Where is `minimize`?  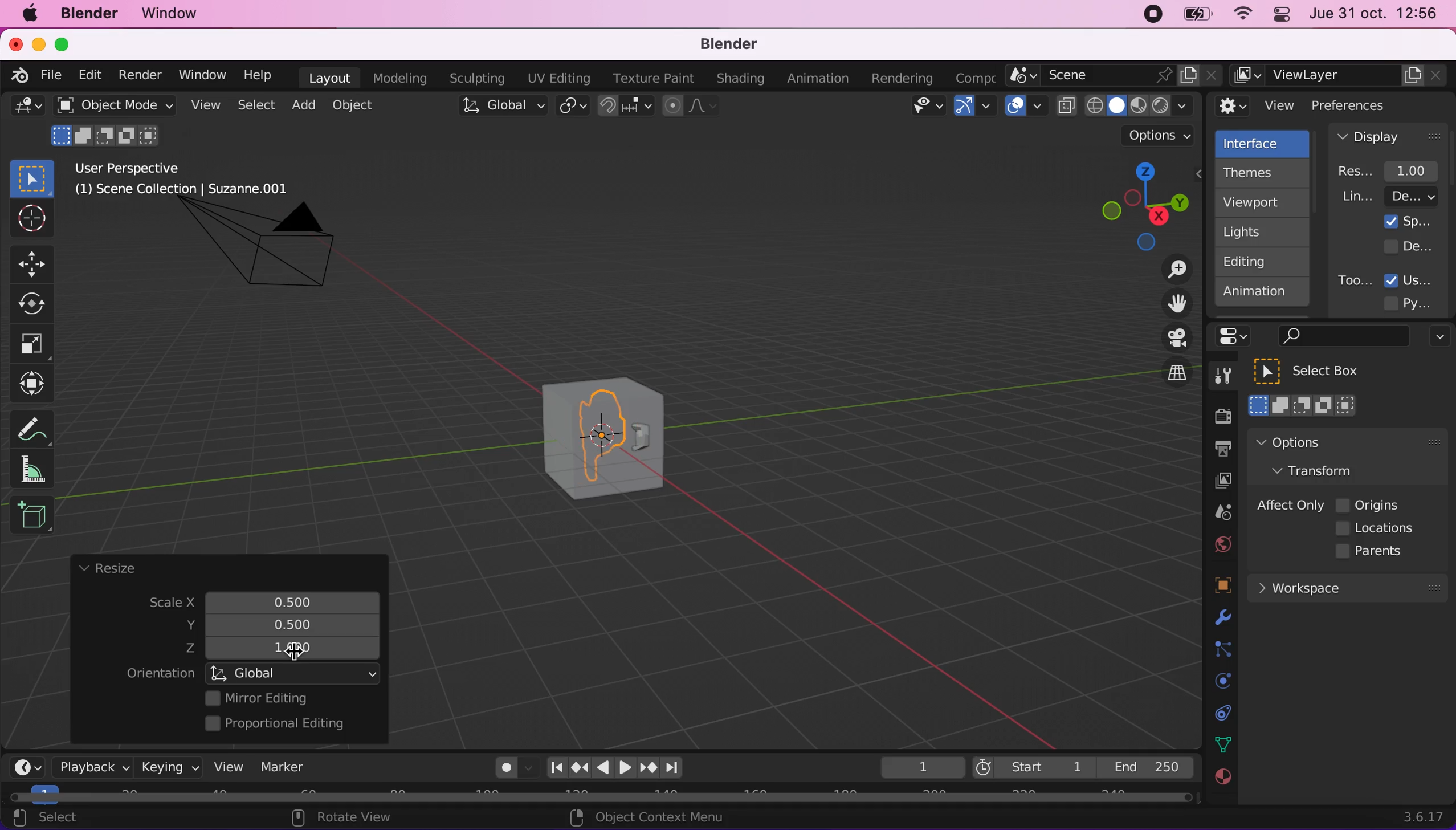 minimize is located at coordinates (36, 43).